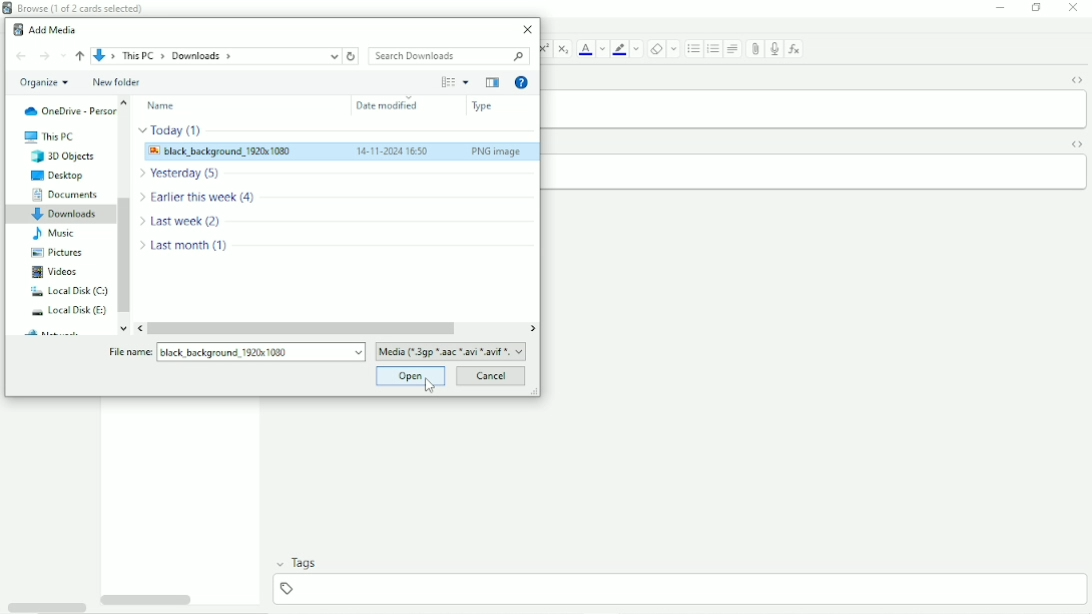 Image resolution: width=1092 pixels, height=614 pixels. What do you see at coordinates (162, 106) in the screenshot?
I see `Name` at bounding box center [162, 106].